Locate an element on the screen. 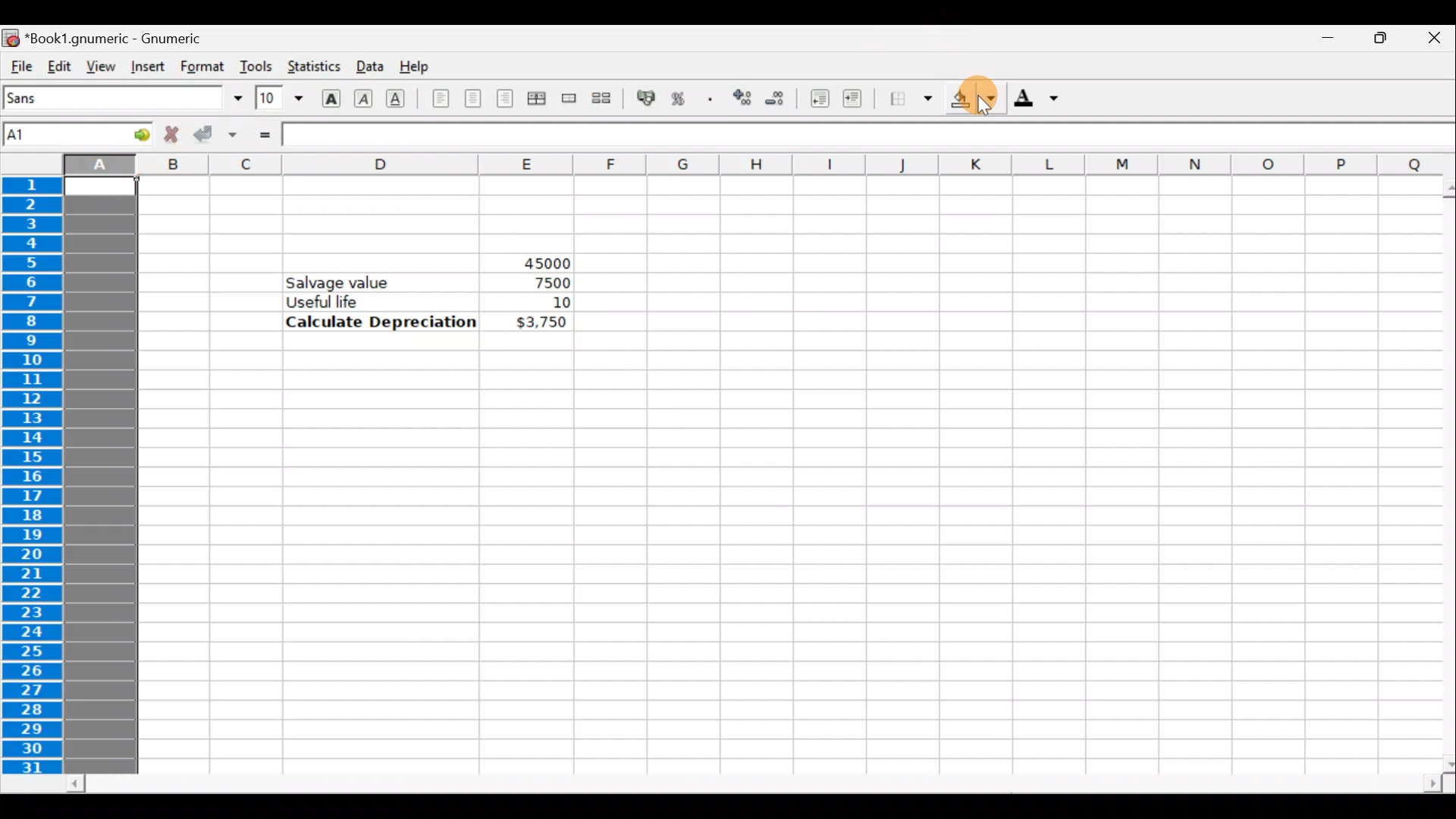  Maximize is located at coordinates (1377, 42).